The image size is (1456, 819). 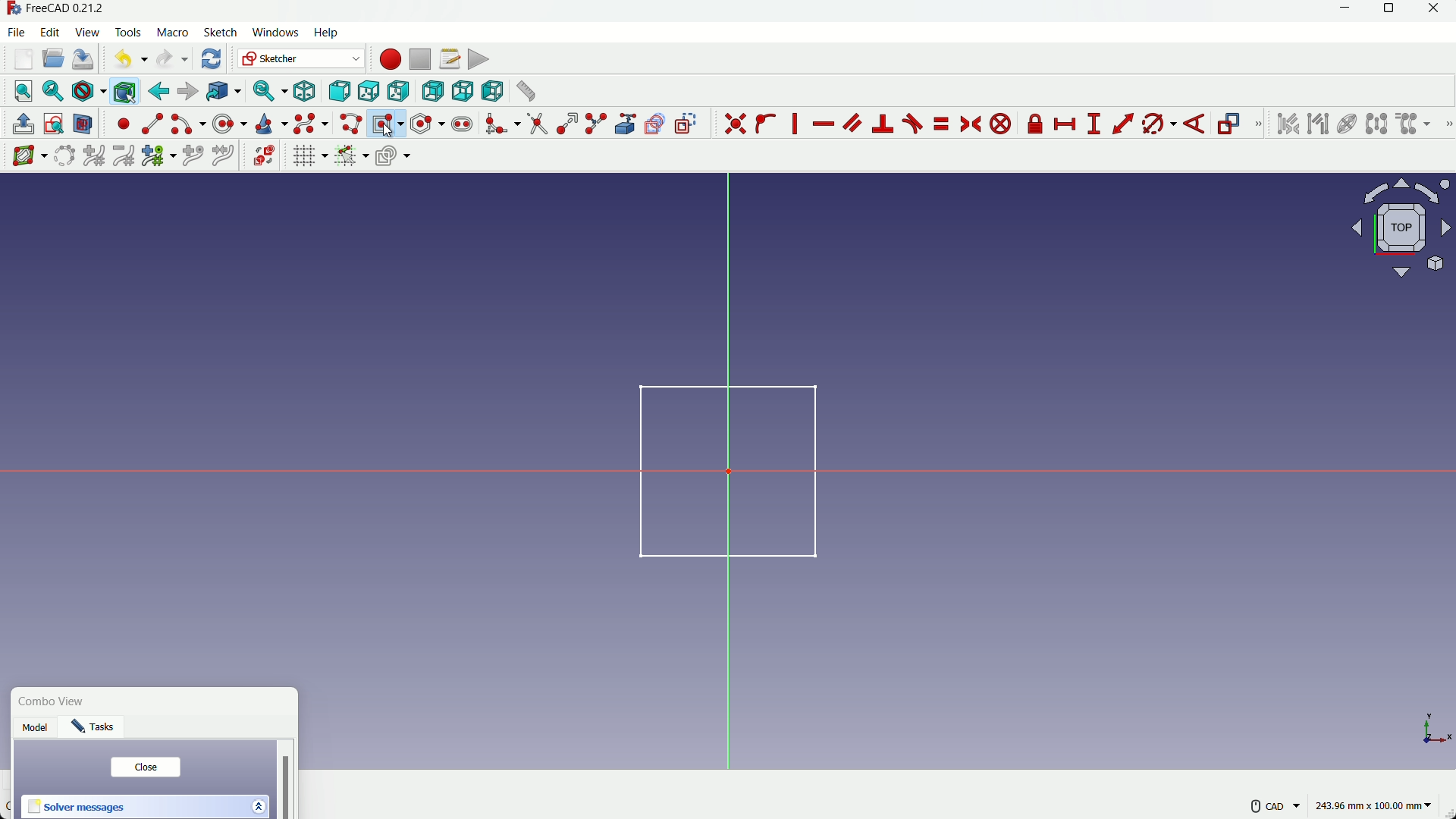 What do you see at coordinates (23, 90) in the screenshot?
I see `select all` at bounding box center [23, 90].